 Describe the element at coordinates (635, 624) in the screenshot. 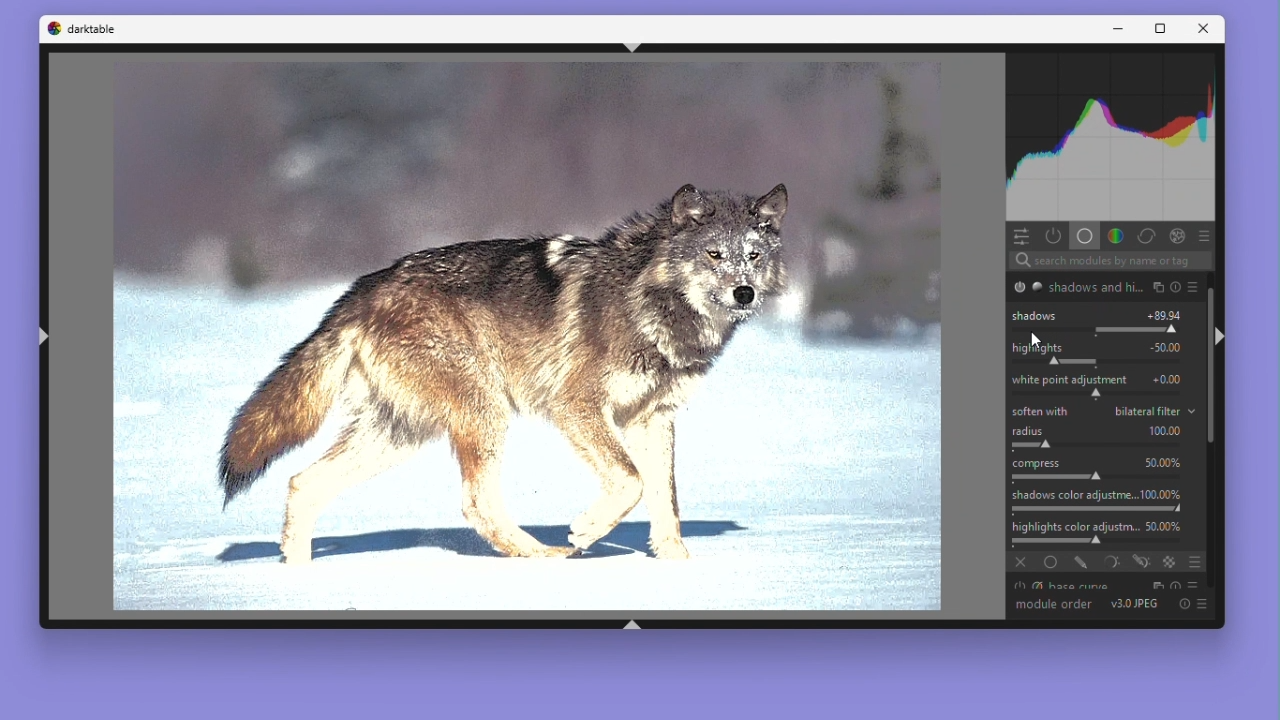

I see `shift+ctrl+b` at that location.